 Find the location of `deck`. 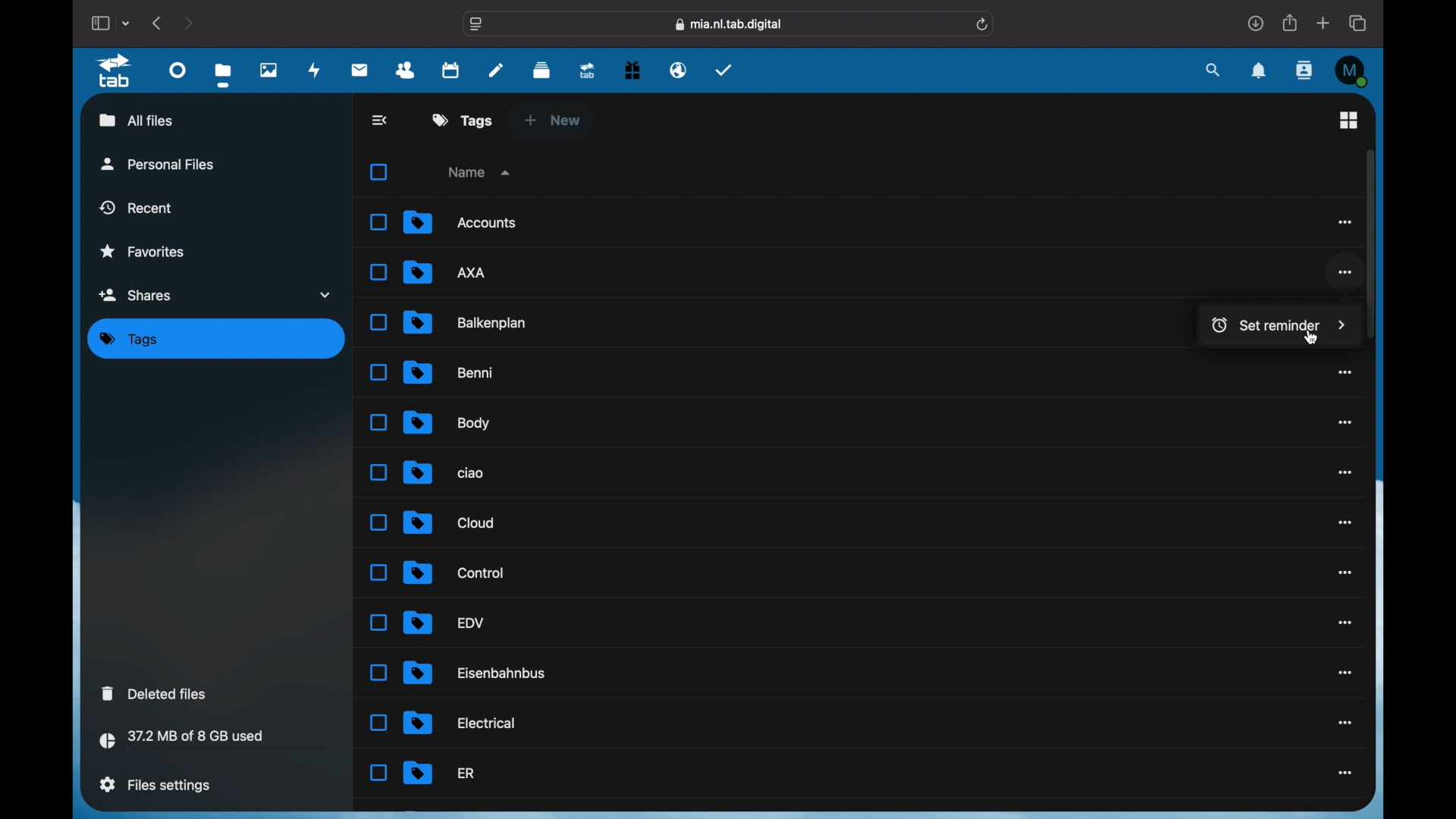

deck is located at coordinates (542, 68).